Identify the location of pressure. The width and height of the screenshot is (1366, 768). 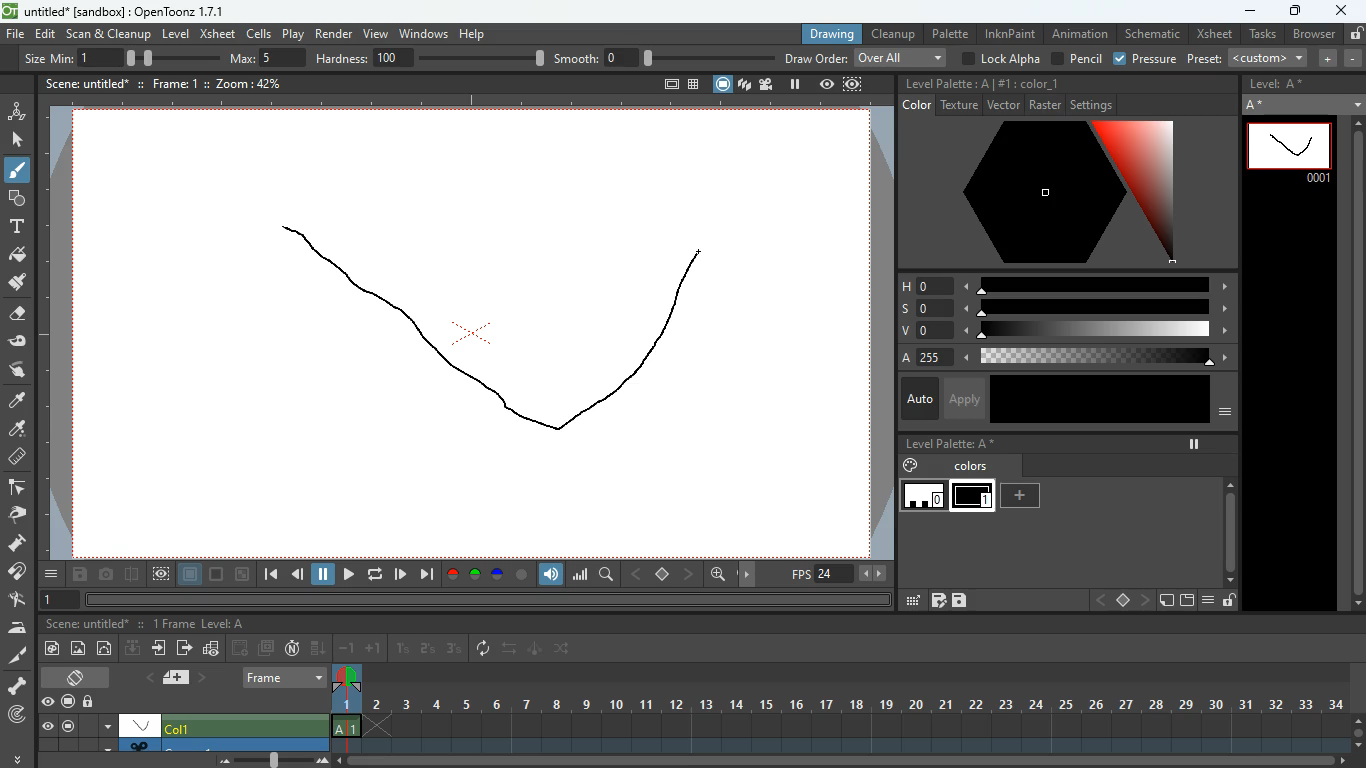
(1147, 60).